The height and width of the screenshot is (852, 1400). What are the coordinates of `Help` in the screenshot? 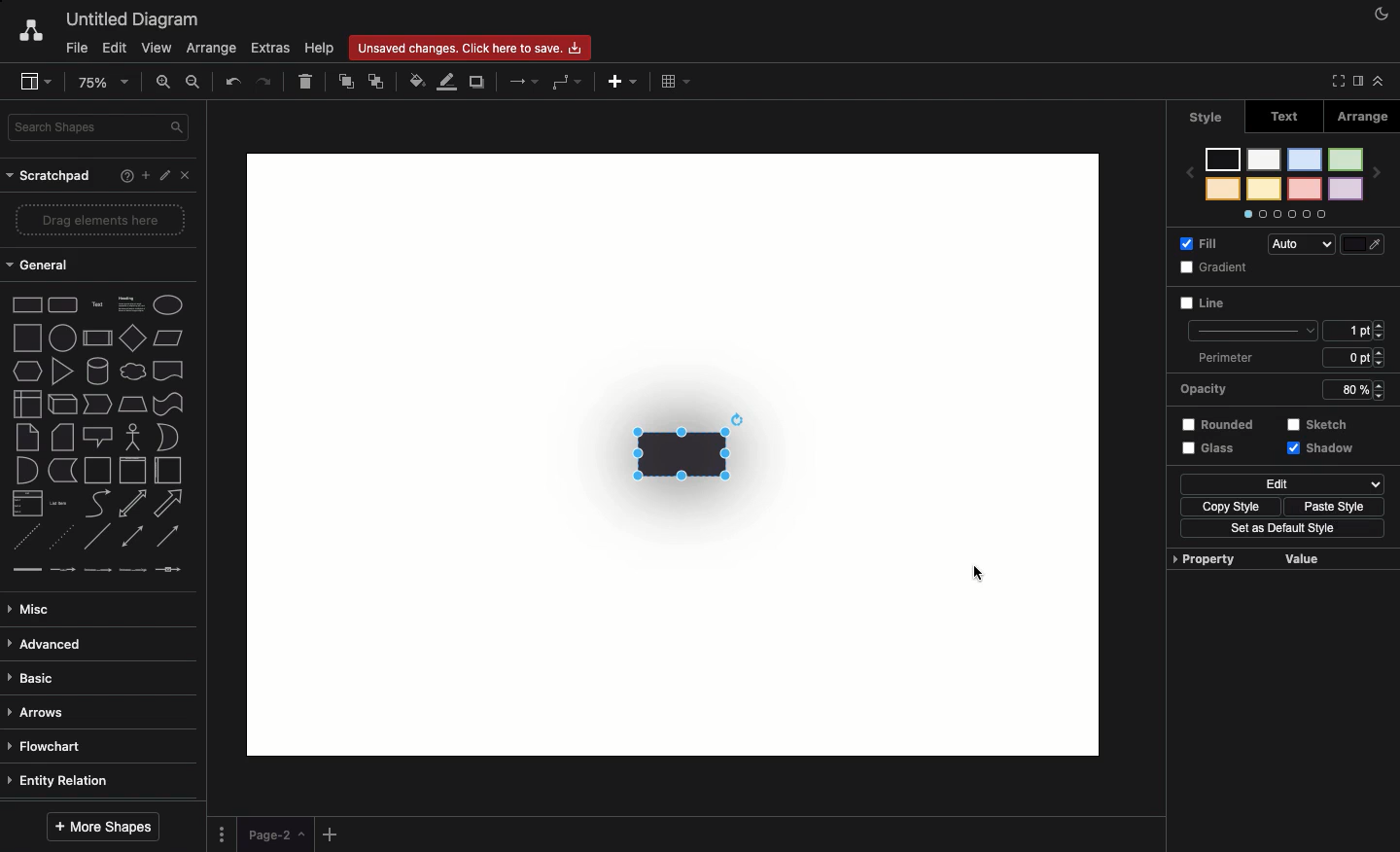 It's located at (122, 176).